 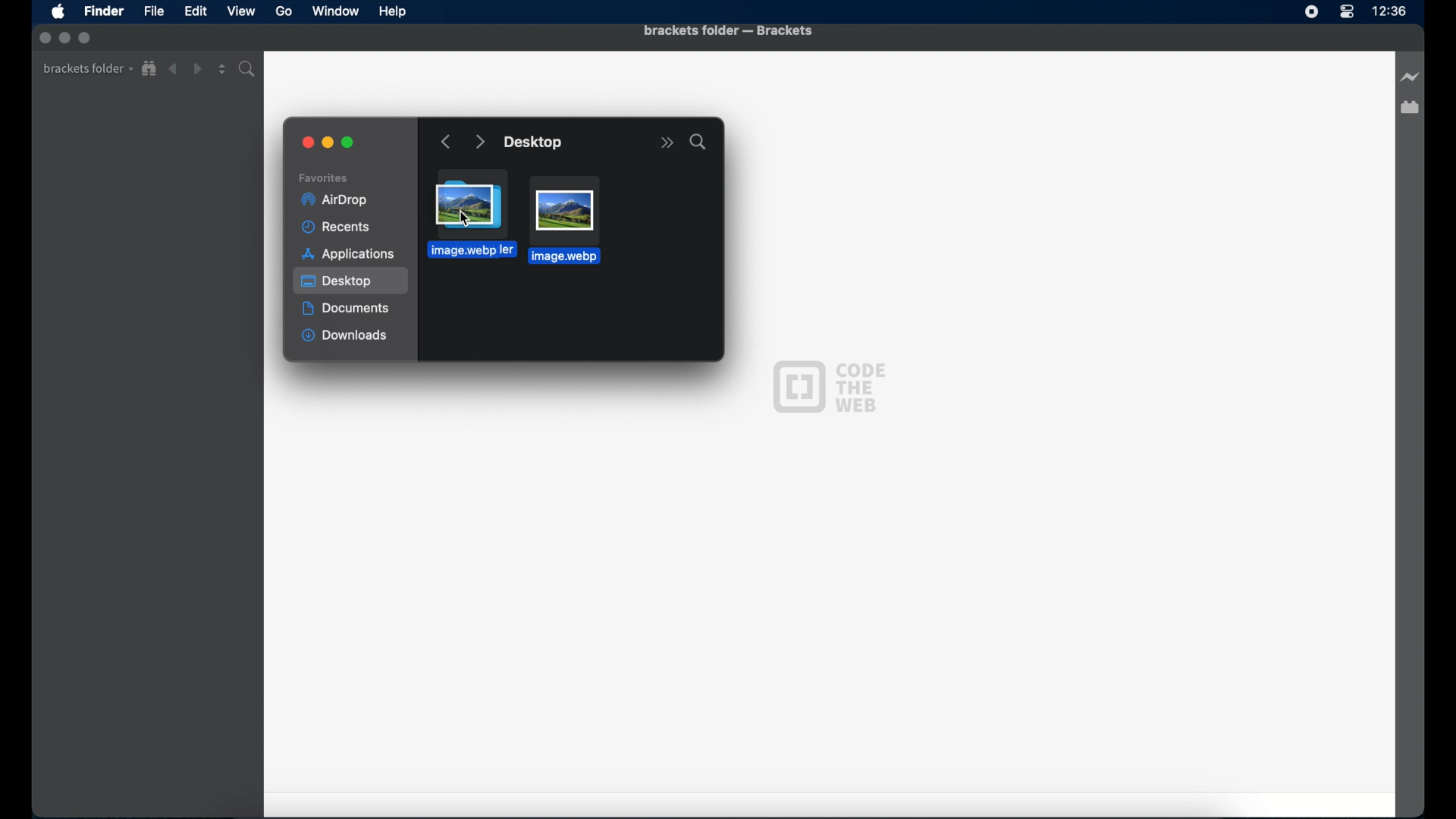 I want to click on Edit, so click(x=196, y=12).